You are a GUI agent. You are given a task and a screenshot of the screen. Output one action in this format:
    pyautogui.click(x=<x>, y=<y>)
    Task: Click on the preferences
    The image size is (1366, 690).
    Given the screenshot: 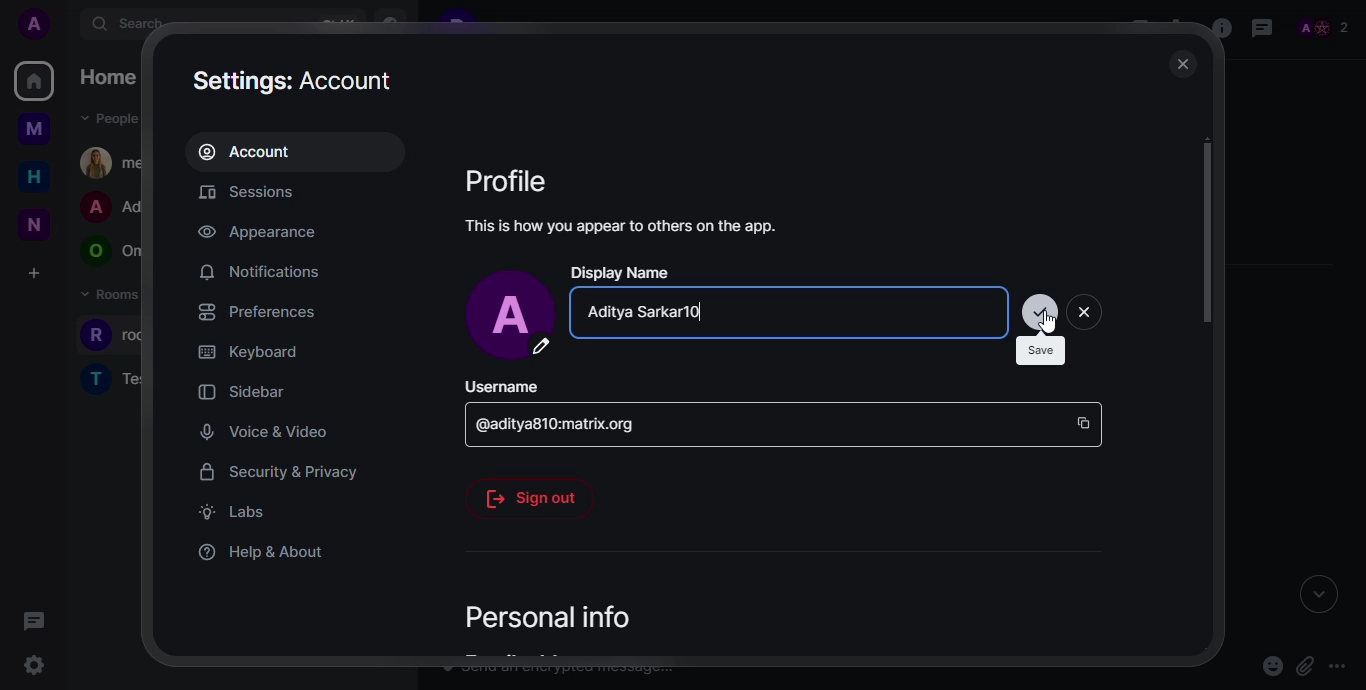 What is the action you would take?
    pyautogui.click(x=257, y=311)
    